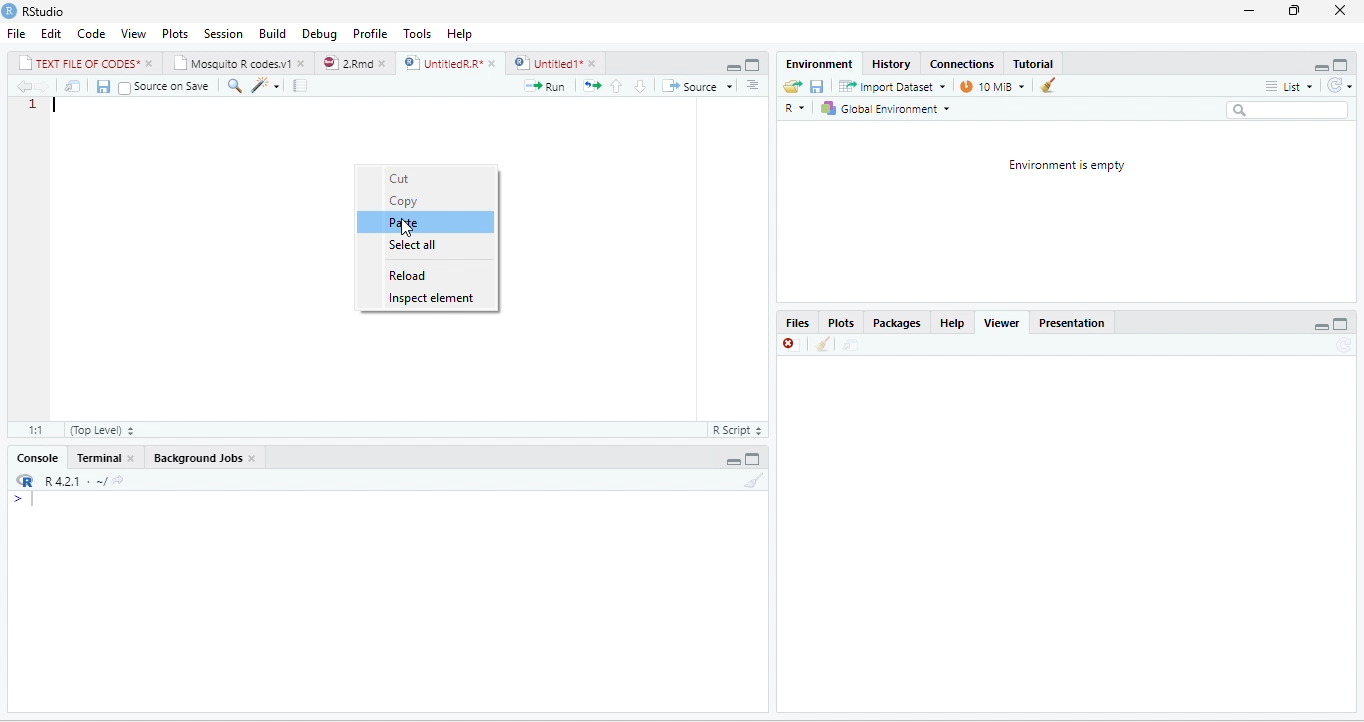 The width and height of the screenshot is (1364, 722). I want to click on help, so click(952, 324).